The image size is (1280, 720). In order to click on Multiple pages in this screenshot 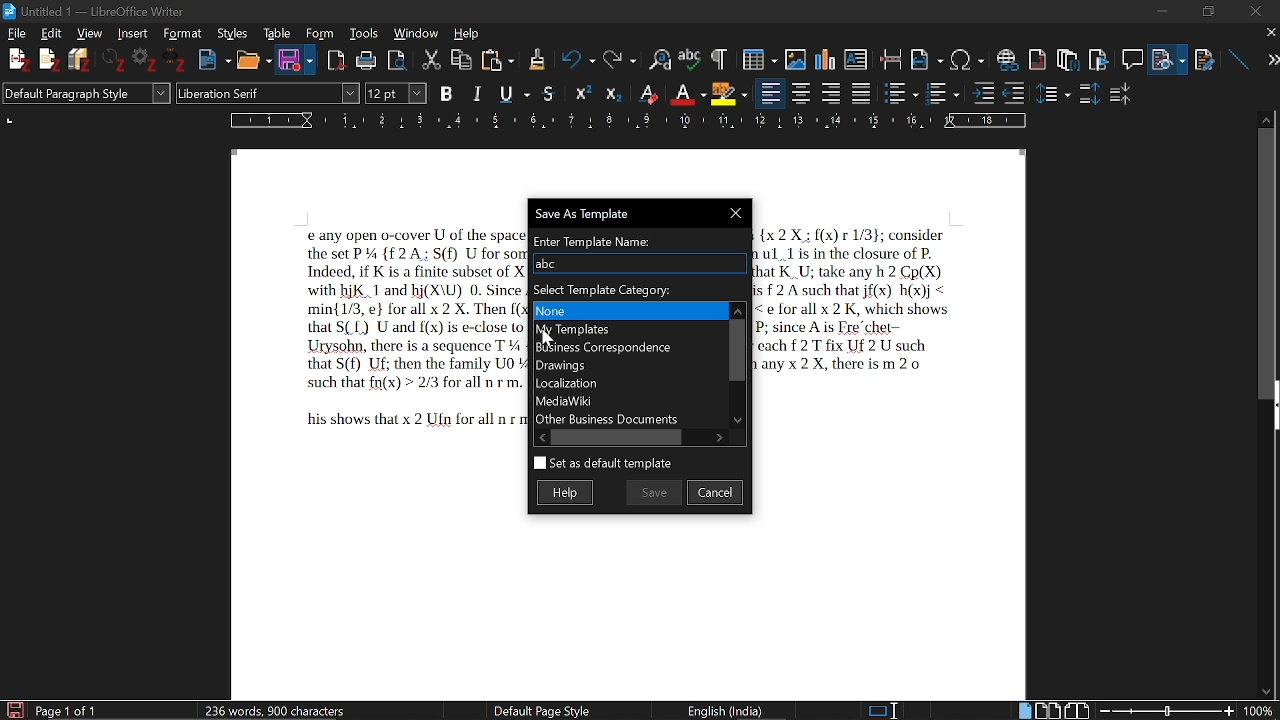, I will do `click(1051, 709)`.